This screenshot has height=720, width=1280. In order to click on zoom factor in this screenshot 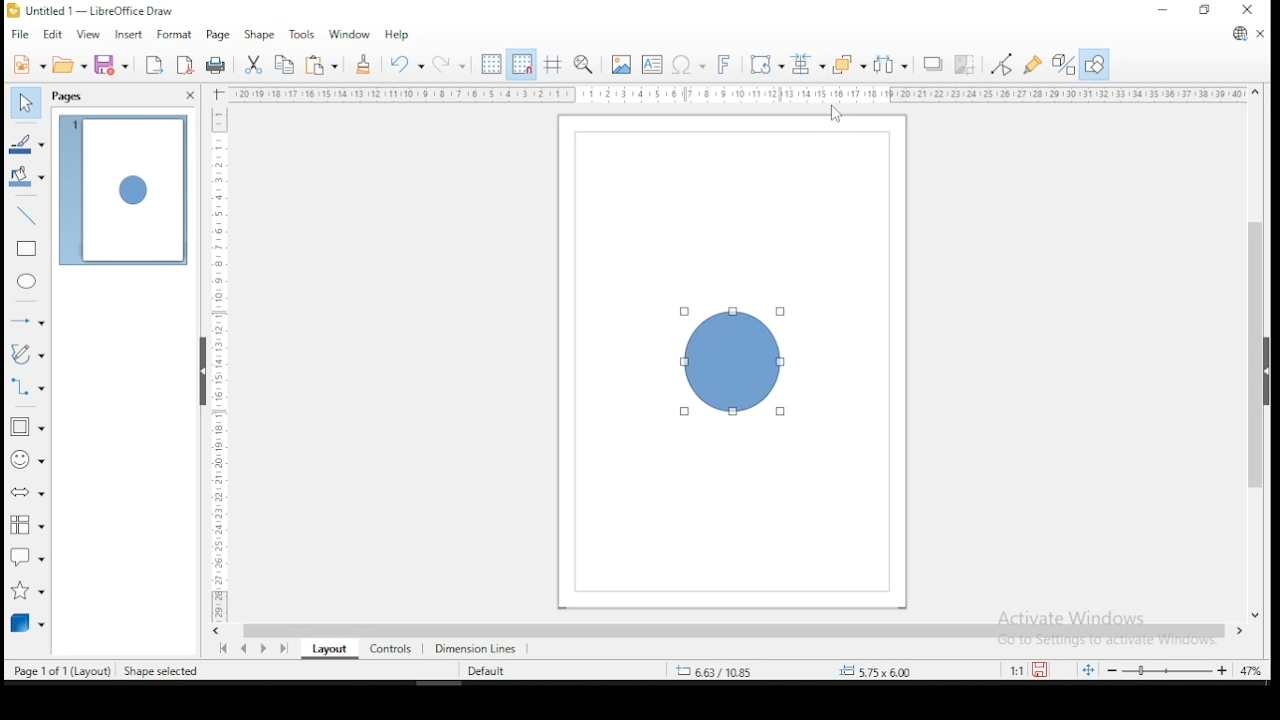, I will do `click(926, 670)`.